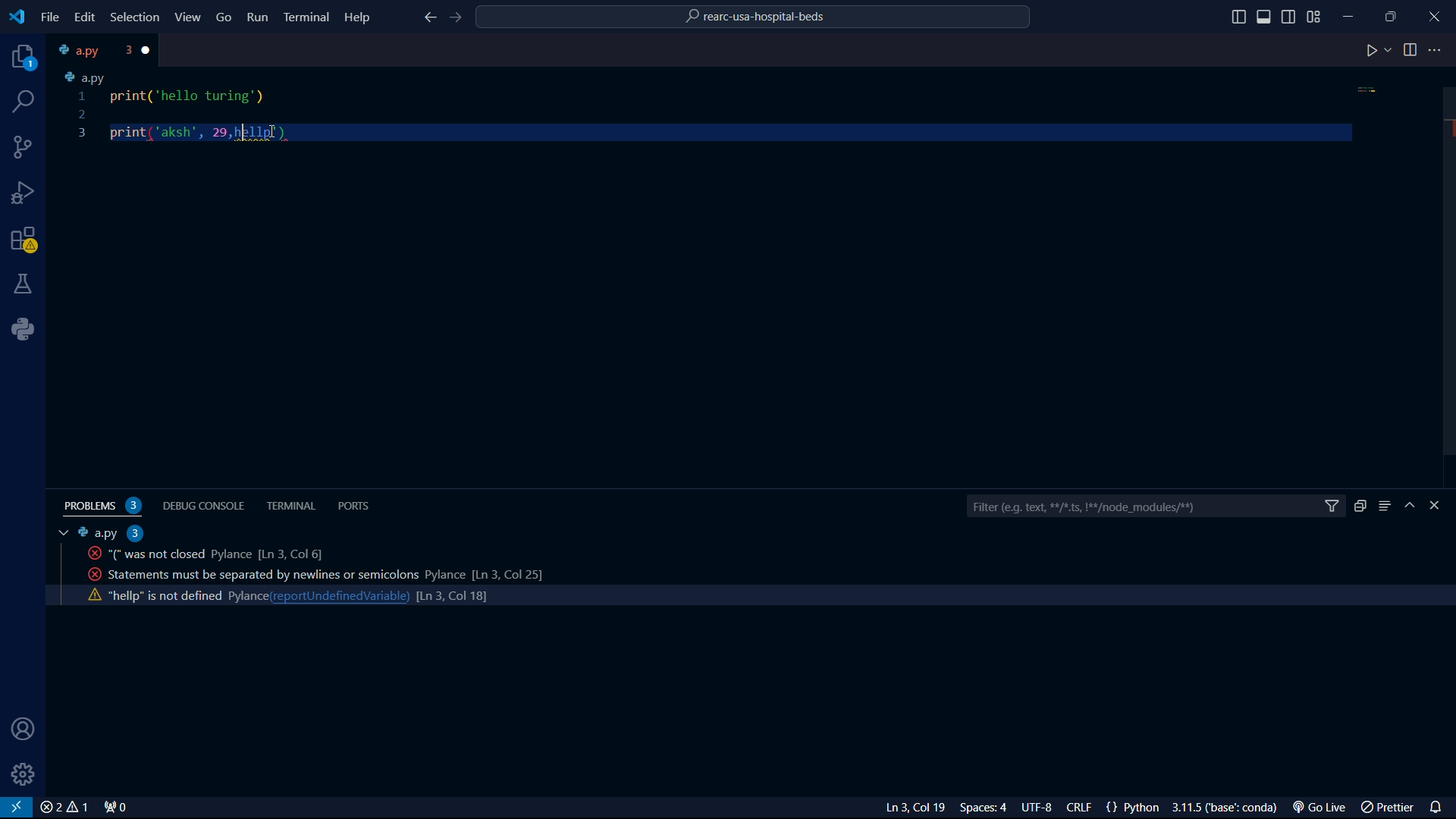 This screenshot has width=1456, height=819. What do you see at coordinates (1410, 50) in the screenshot?
I see `toggle` at bounding box center [1410, 50].